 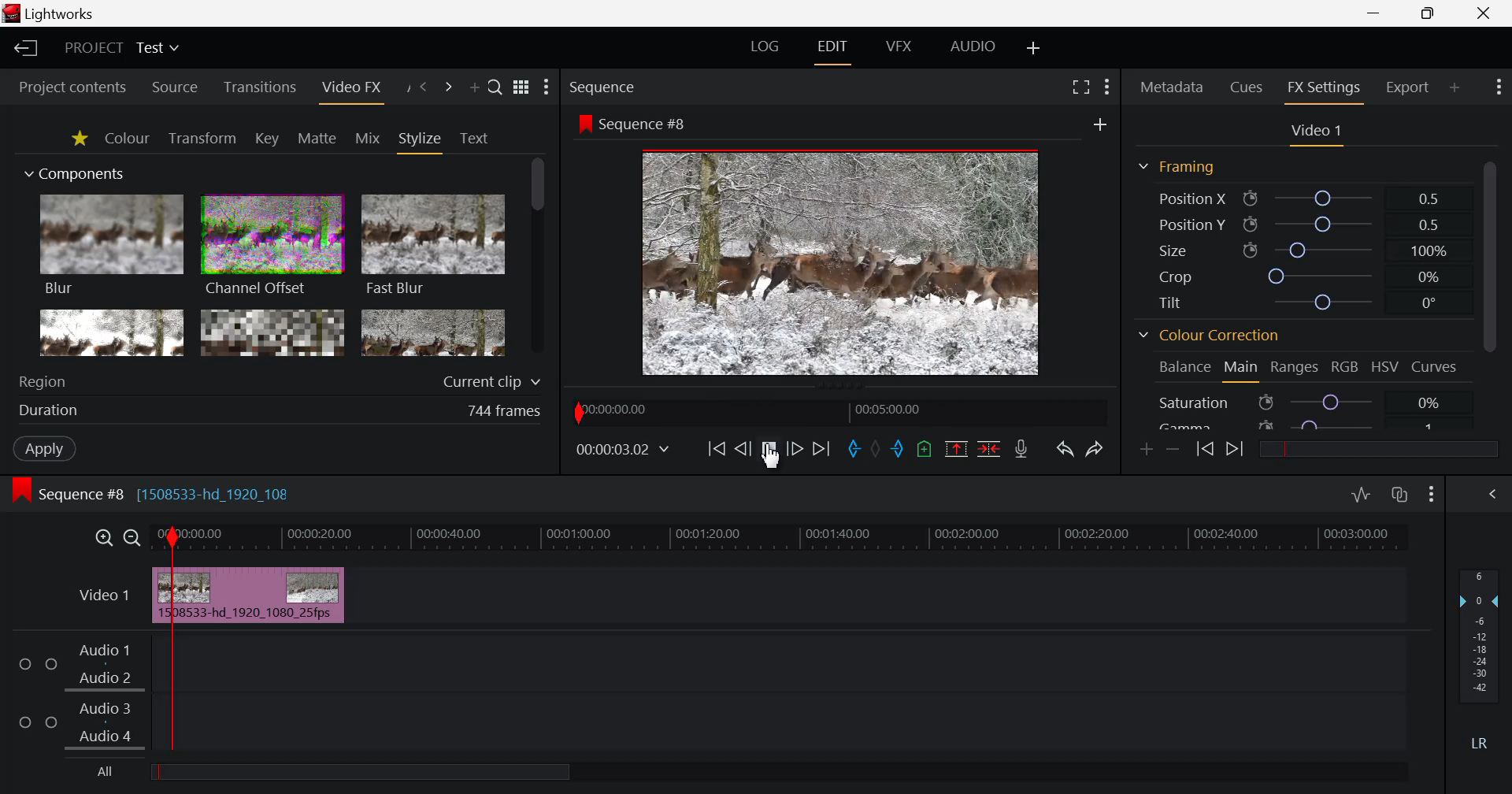 What do you see at coordinates (496, 88) in the screenshot?
I see `Search` at bounding box center [496, 88].